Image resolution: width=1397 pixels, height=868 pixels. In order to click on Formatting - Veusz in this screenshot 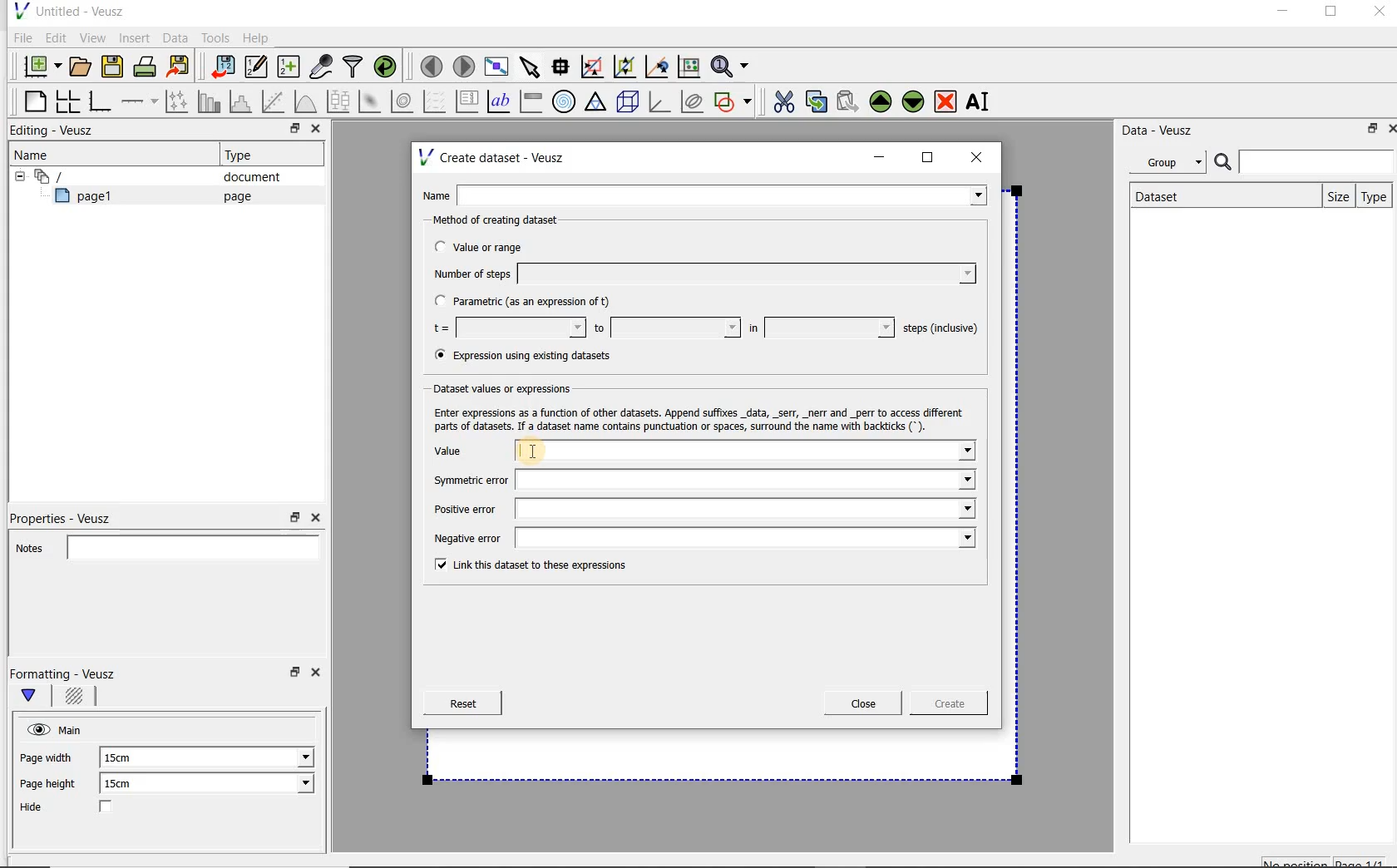, I will do `click(65, 673)`.